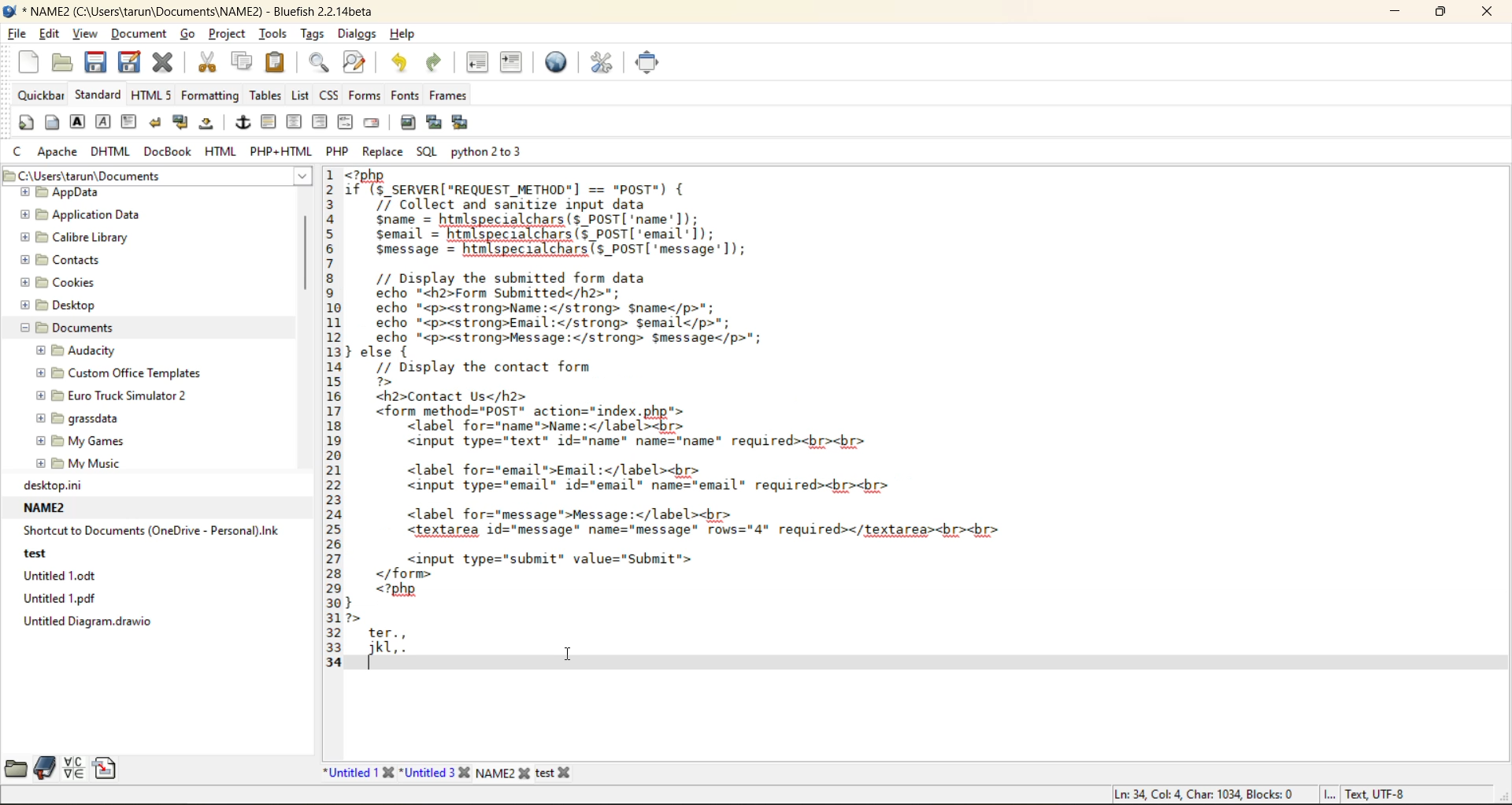 The height and width of the screenshot is (805, 1512). I want to click on preview in browser, so click(561, 63).